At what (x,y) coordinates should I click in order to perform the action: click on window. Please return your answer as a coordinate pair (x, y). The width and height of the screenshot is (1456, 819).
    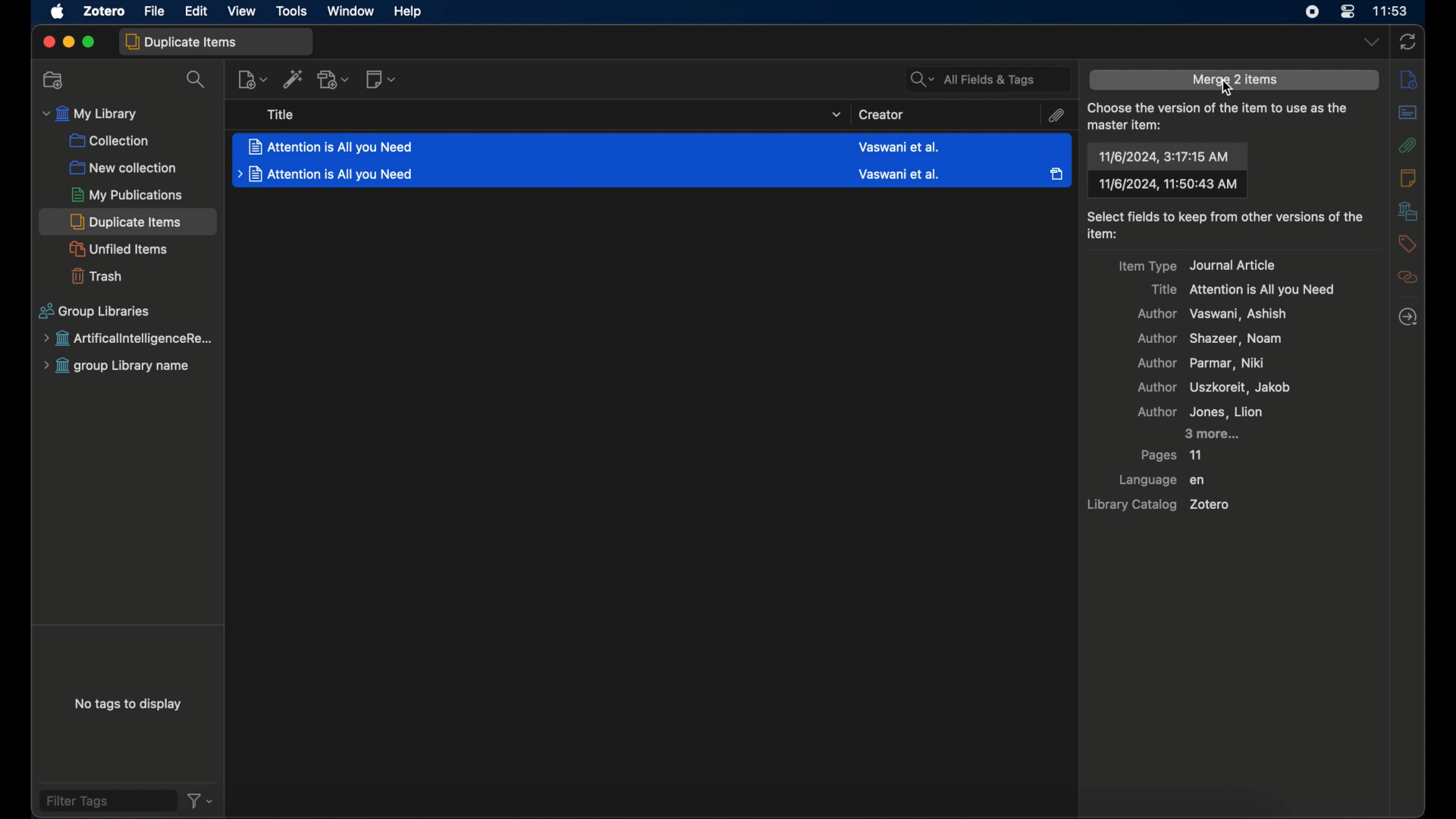
    Looking at the image, I should click on (351, 11).